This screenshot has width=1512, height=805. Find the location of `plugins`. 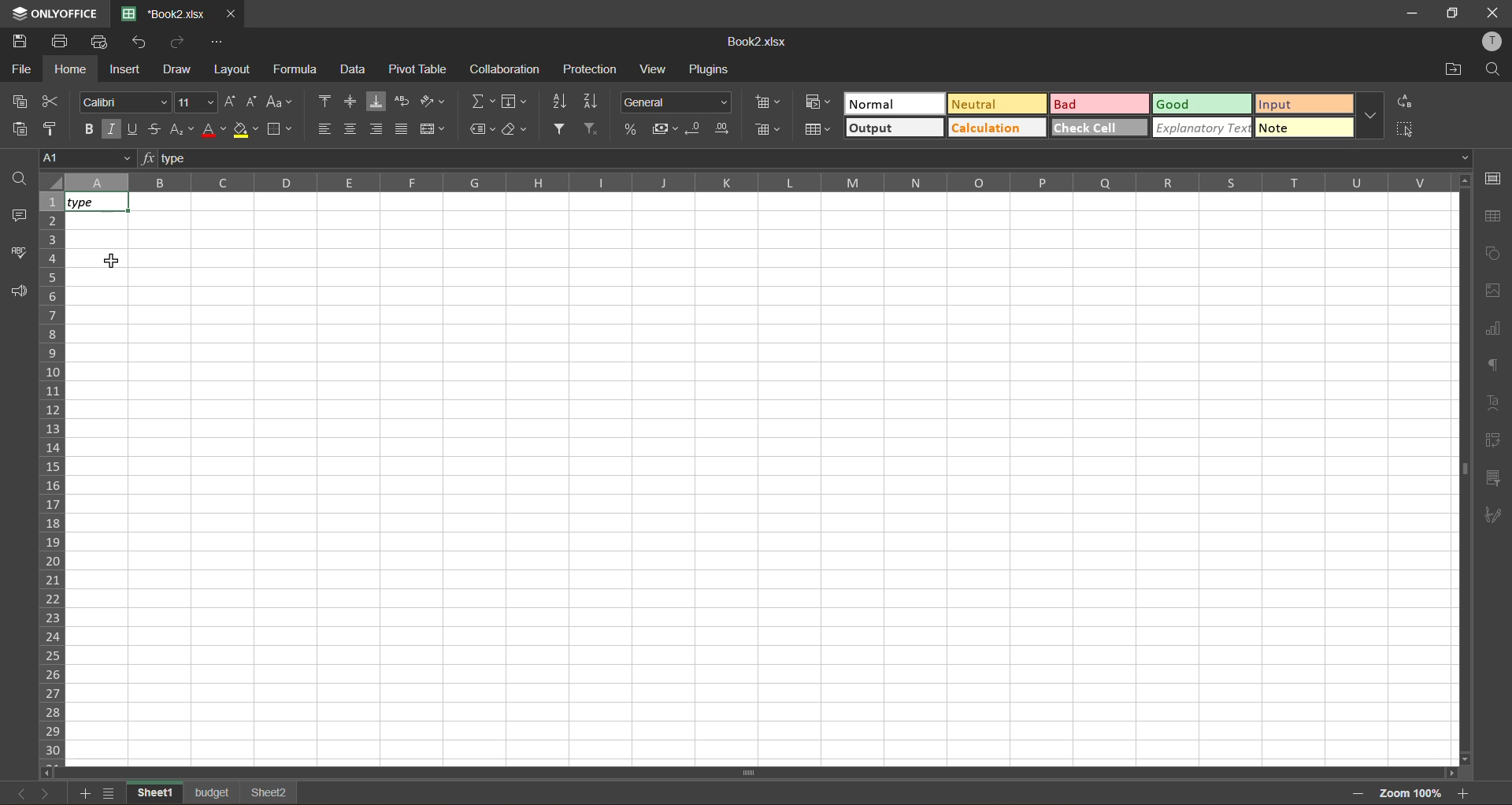

plugins is located at coordinates (712, 70).